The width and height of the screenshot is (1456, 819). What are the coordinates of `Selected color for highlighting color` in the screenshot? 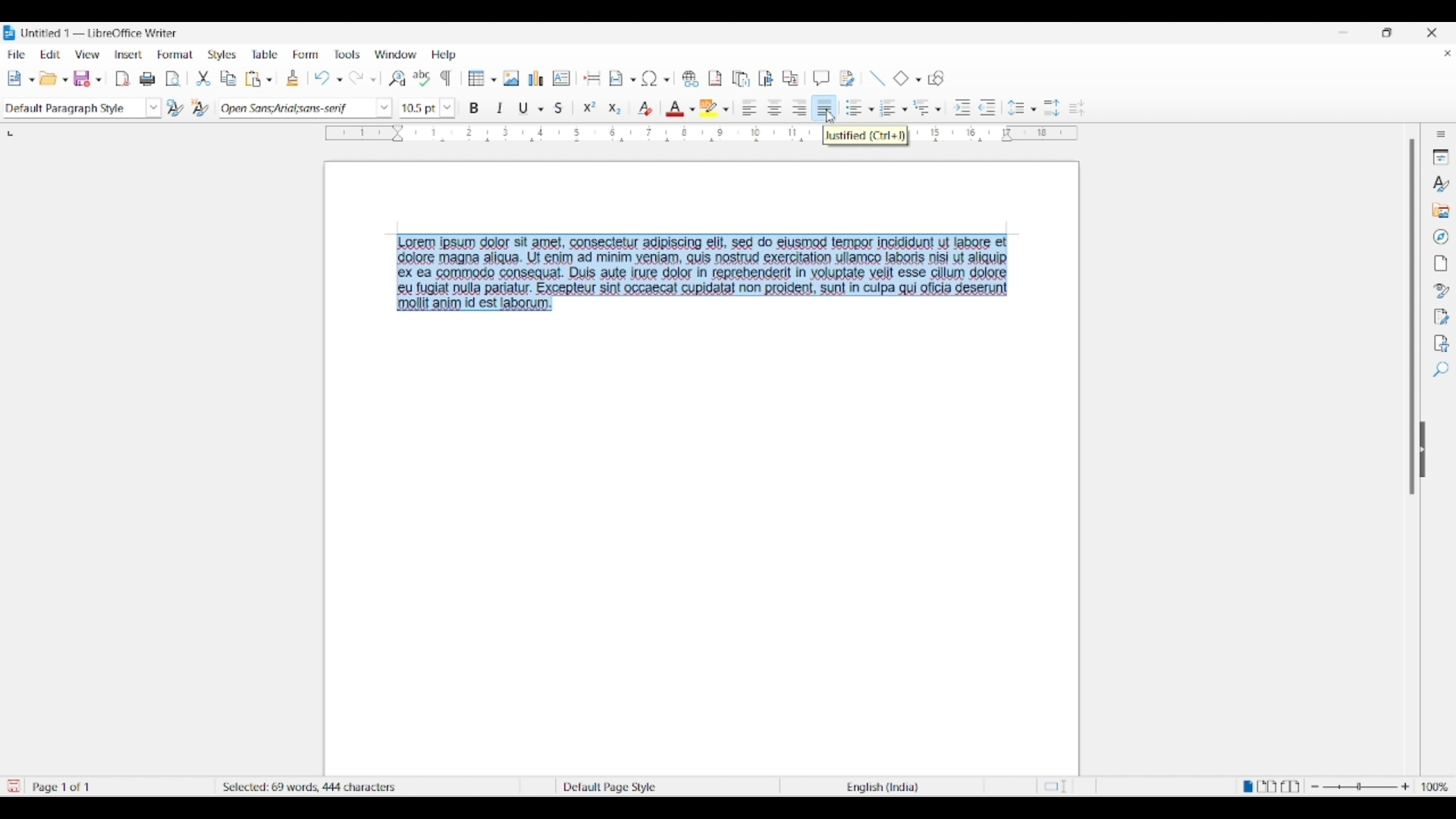 It's located at (709, 107).